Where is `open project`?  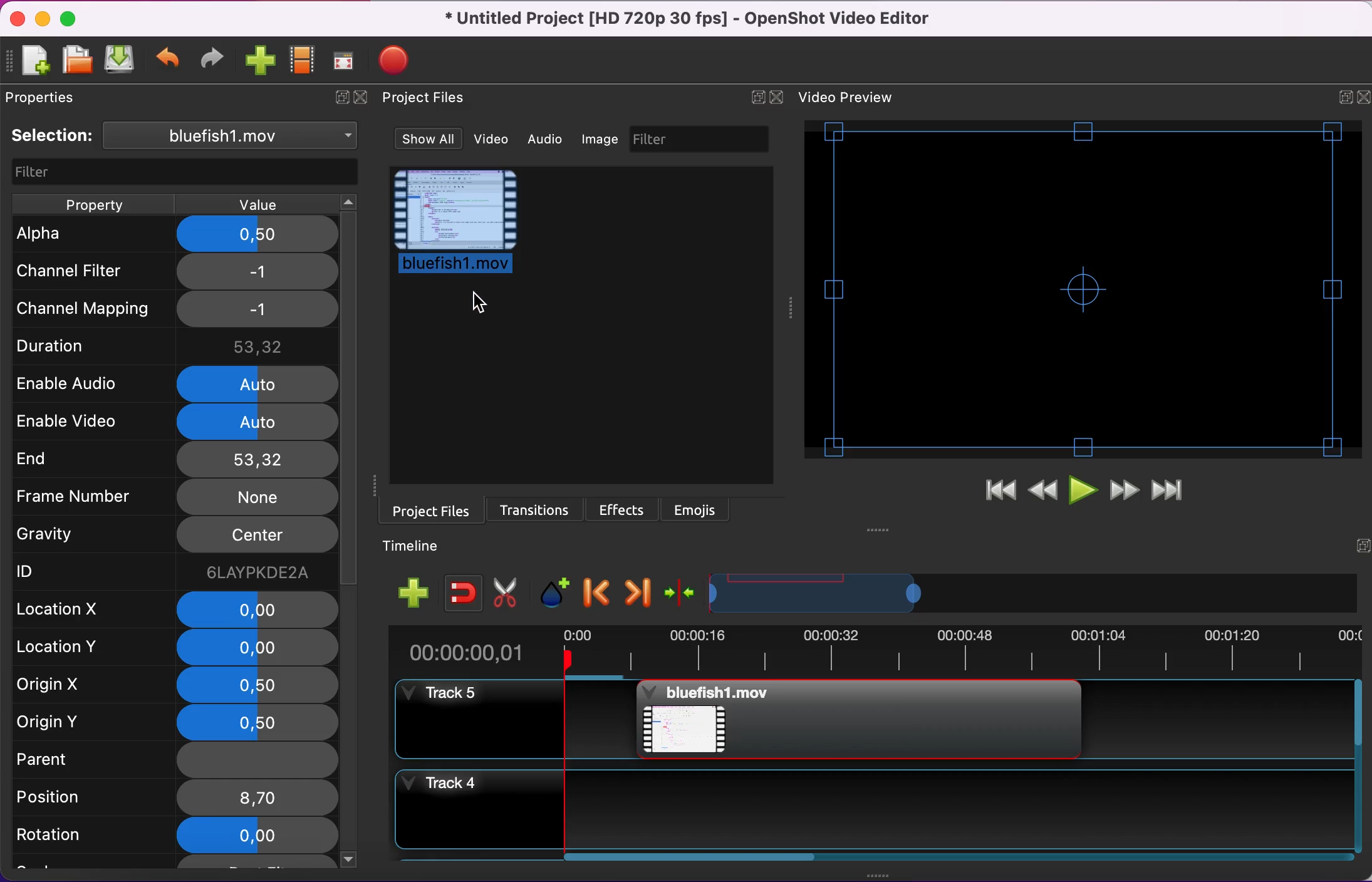 open project is located at coordinates (76, 65).